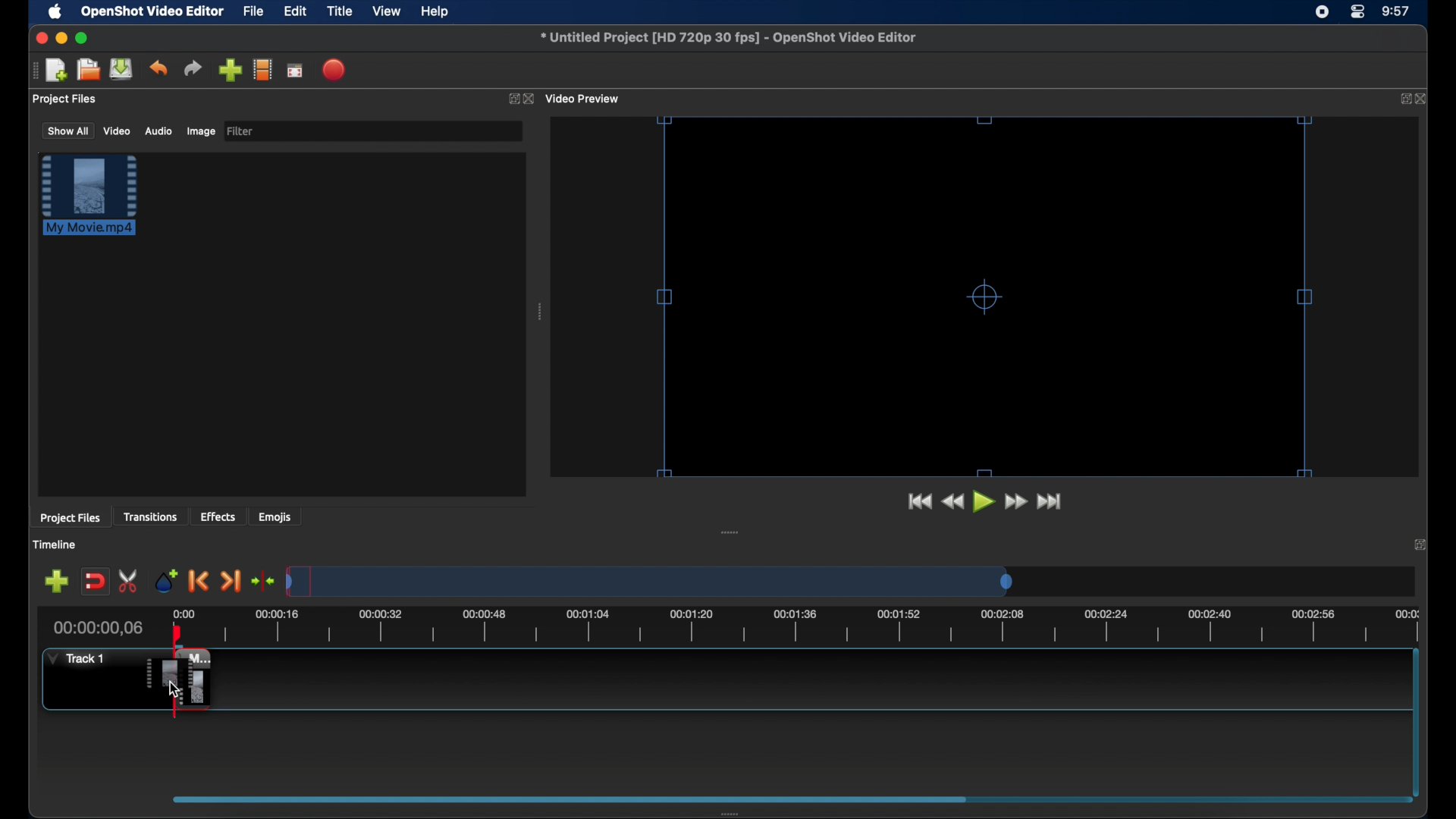  Describe the element at coordinates (816, 628) in the screenshot. I see `timeline scale` at that location.